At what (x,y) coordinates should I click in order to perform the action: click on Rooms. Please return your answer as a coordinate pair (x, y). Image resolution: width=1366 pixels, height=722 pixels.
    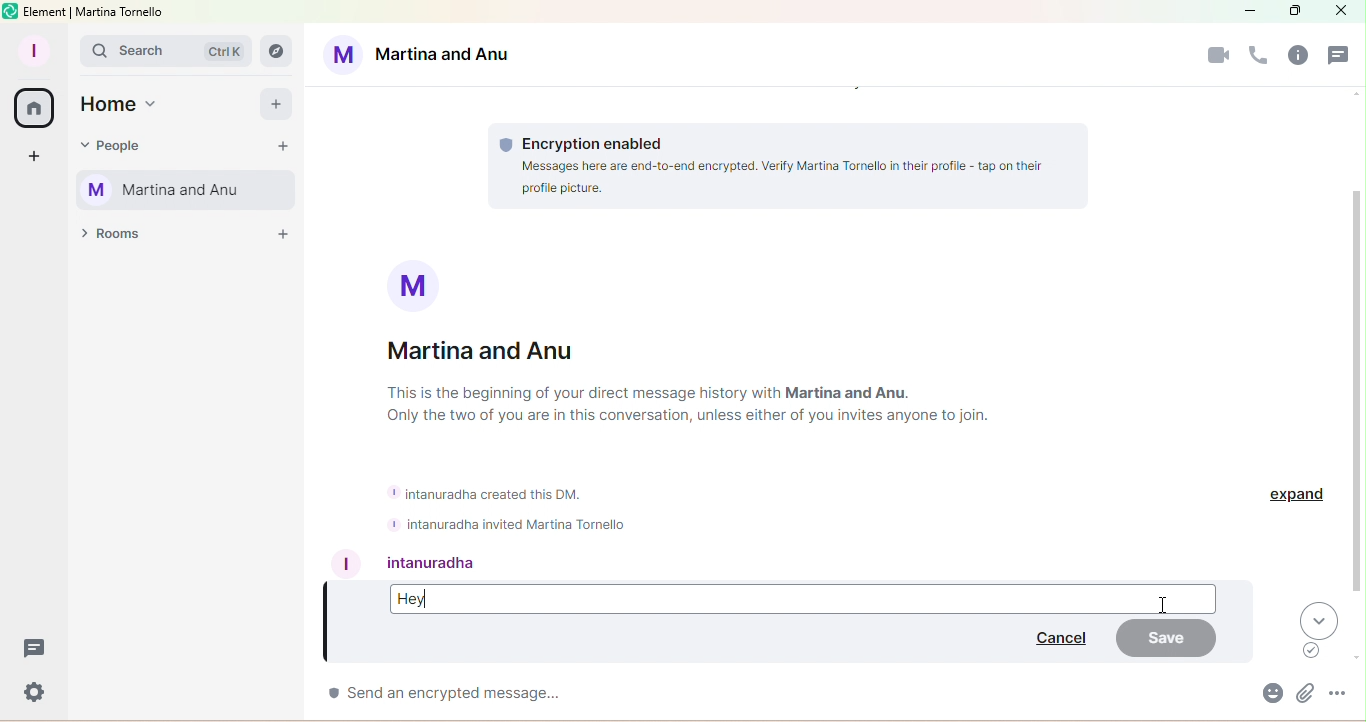
    Looking at the image, I should click on (113, 238).